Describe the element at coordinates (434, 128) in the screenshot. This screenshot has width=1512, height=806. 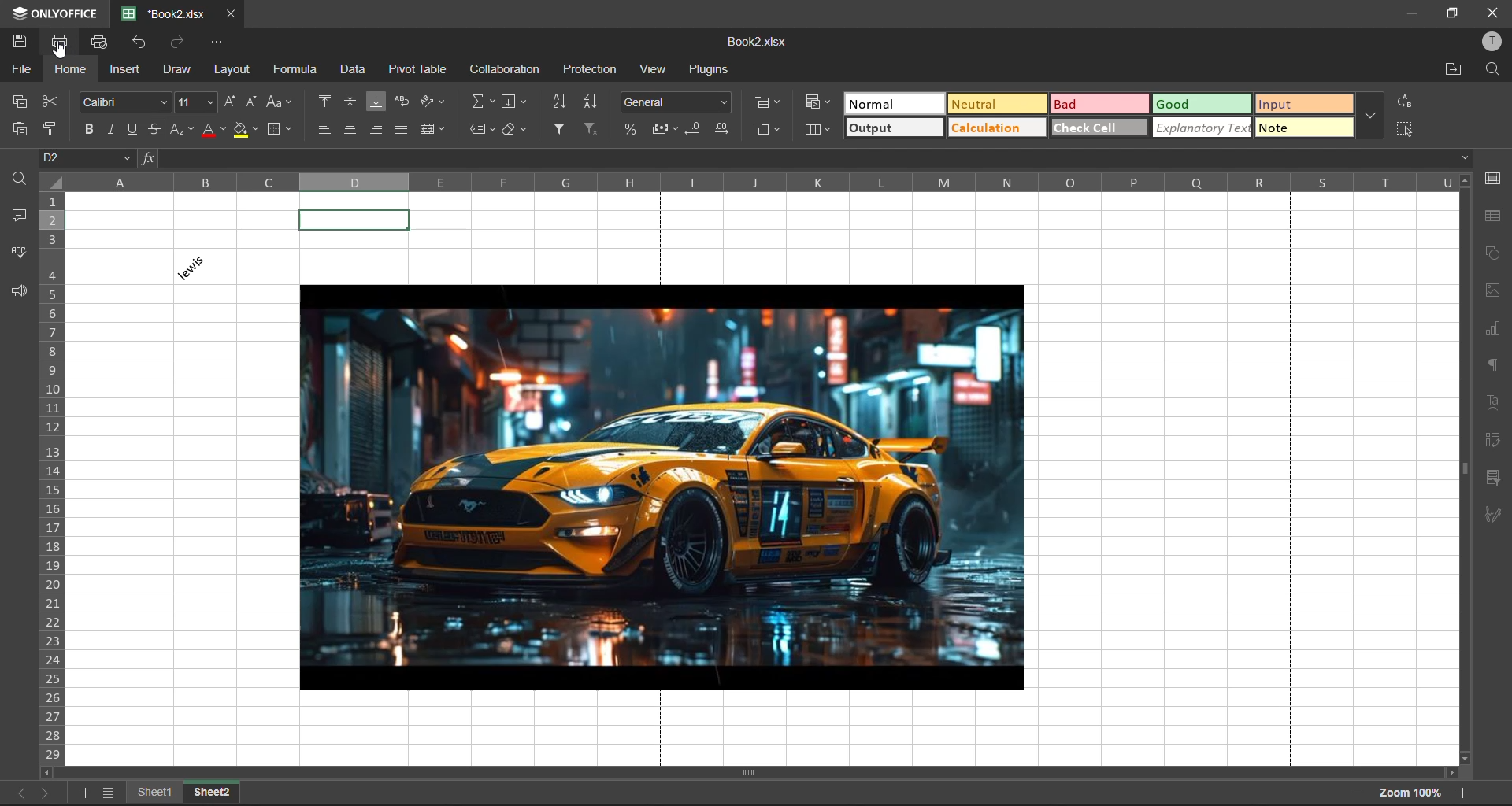
I see `merge and center` at that location.